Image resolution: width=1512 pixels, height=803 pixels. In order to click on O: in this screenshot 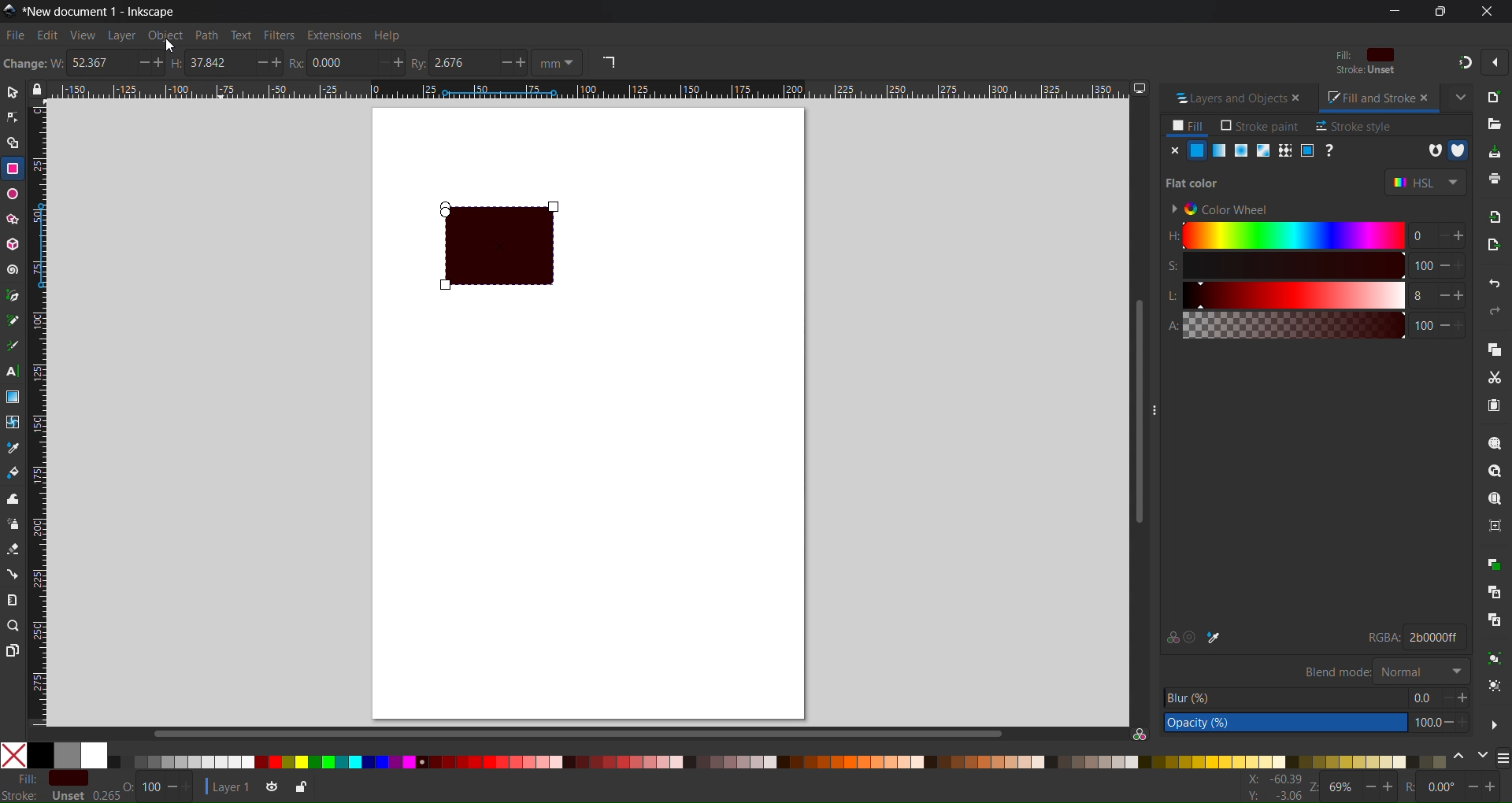, I will do `click(130, 787)`.